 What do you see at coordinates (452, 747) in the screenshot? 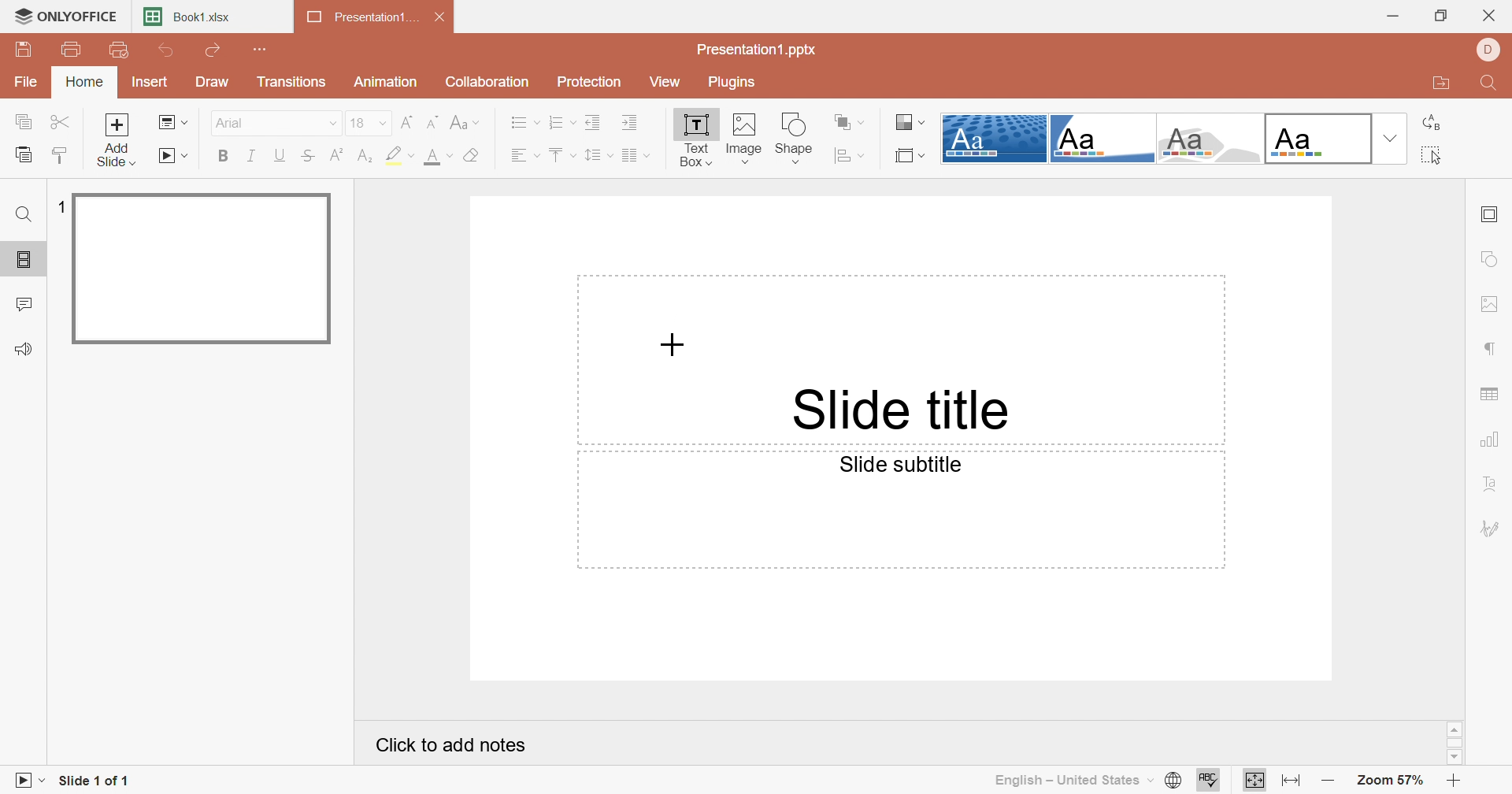
I see `Click to add notes` at bounding box center [452, 747].